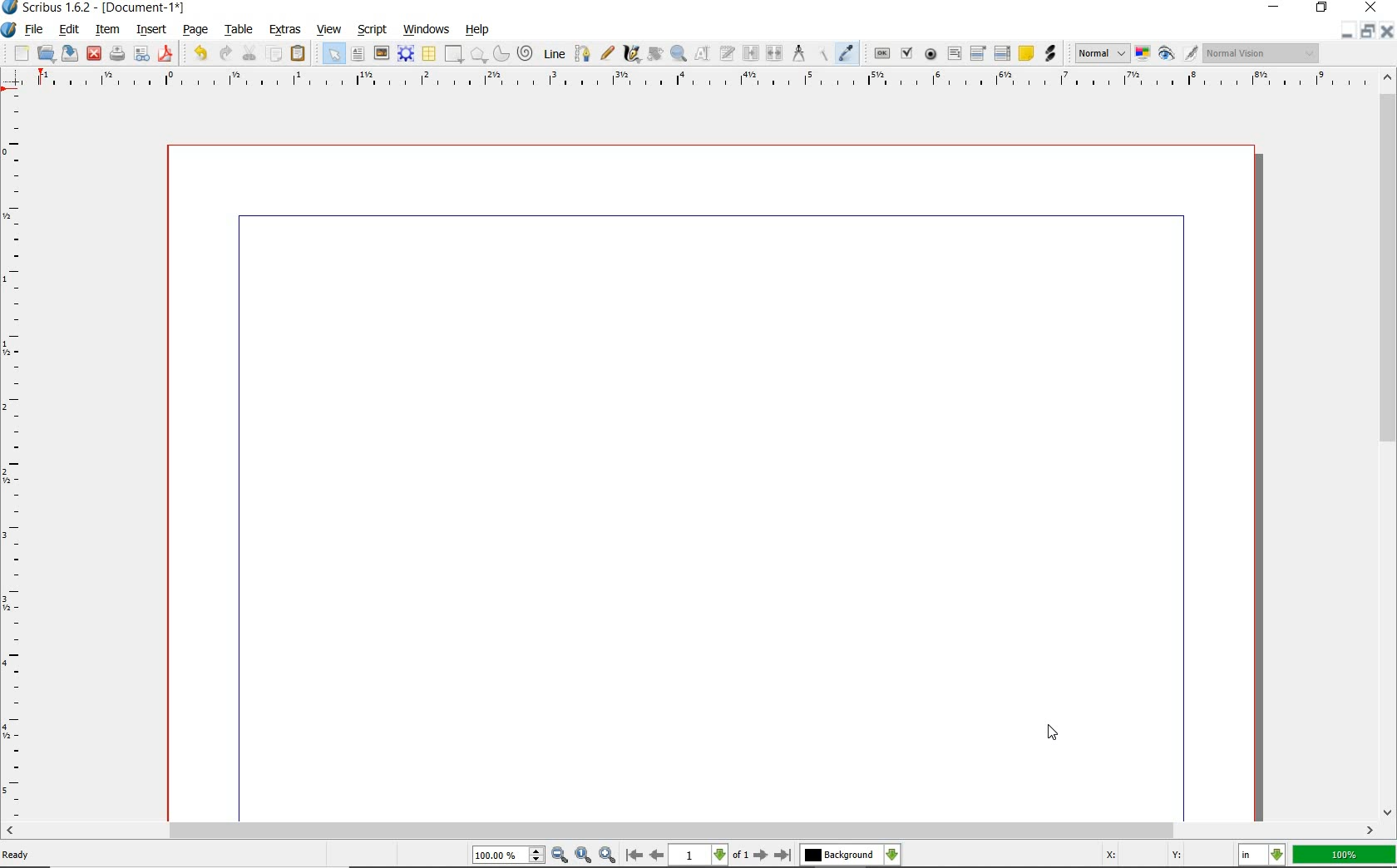  I want to click on text annotation, so click(1026, 53).